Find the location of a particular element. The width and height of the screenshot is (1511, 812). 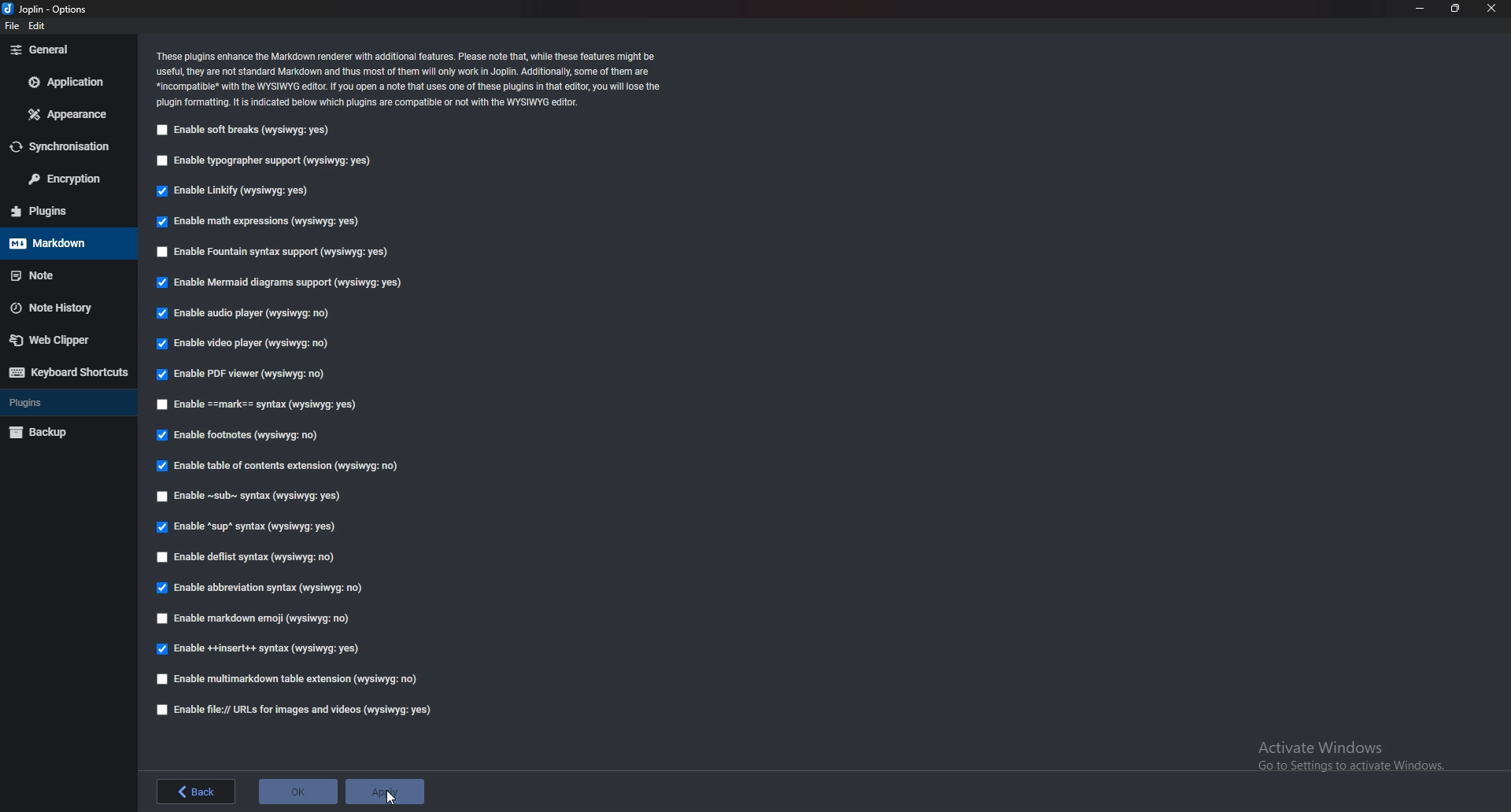

Encryption is located at coordinates (65, 179).